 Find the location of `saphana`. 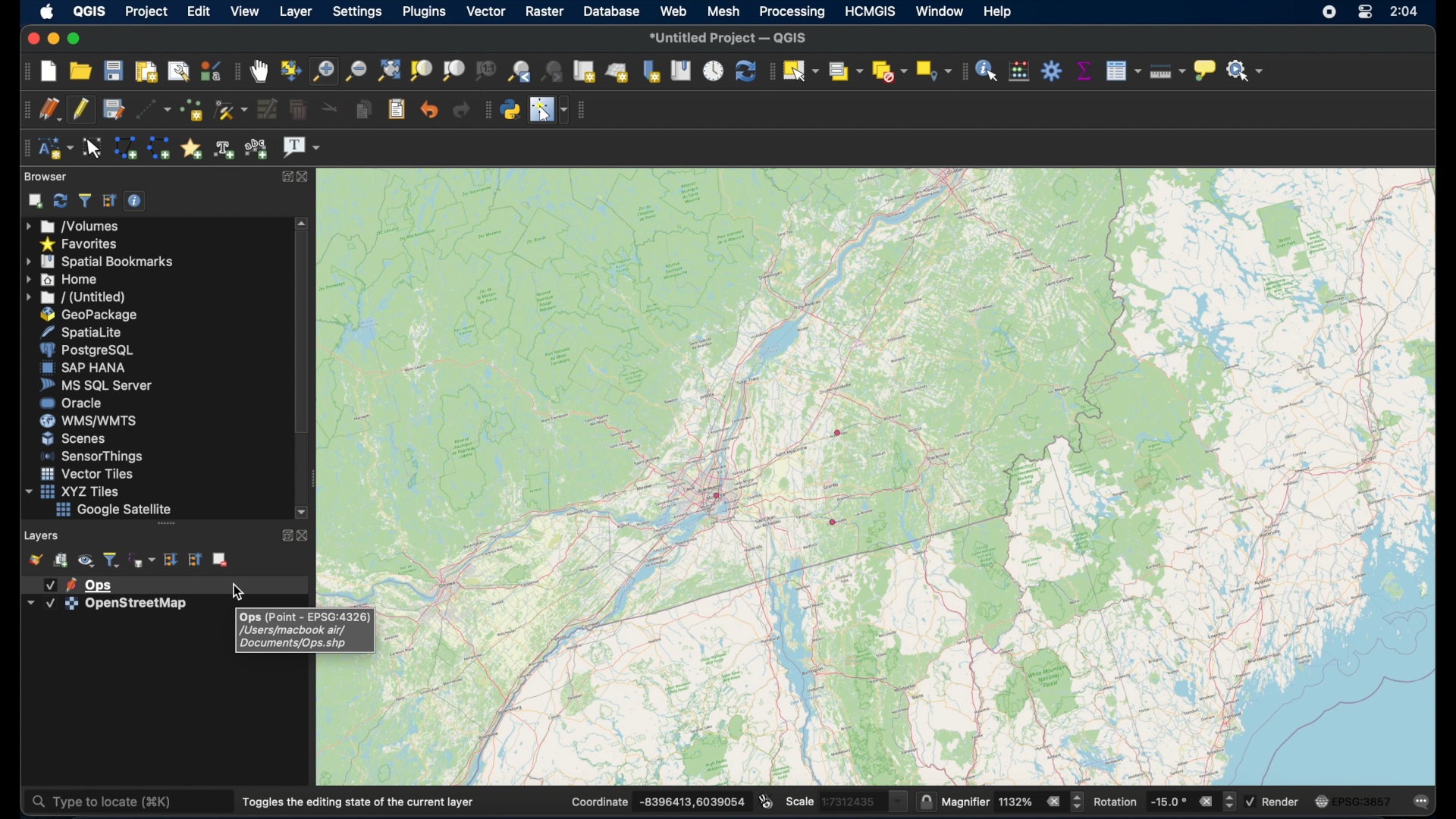

saphana is located at coordinates (80, 369).